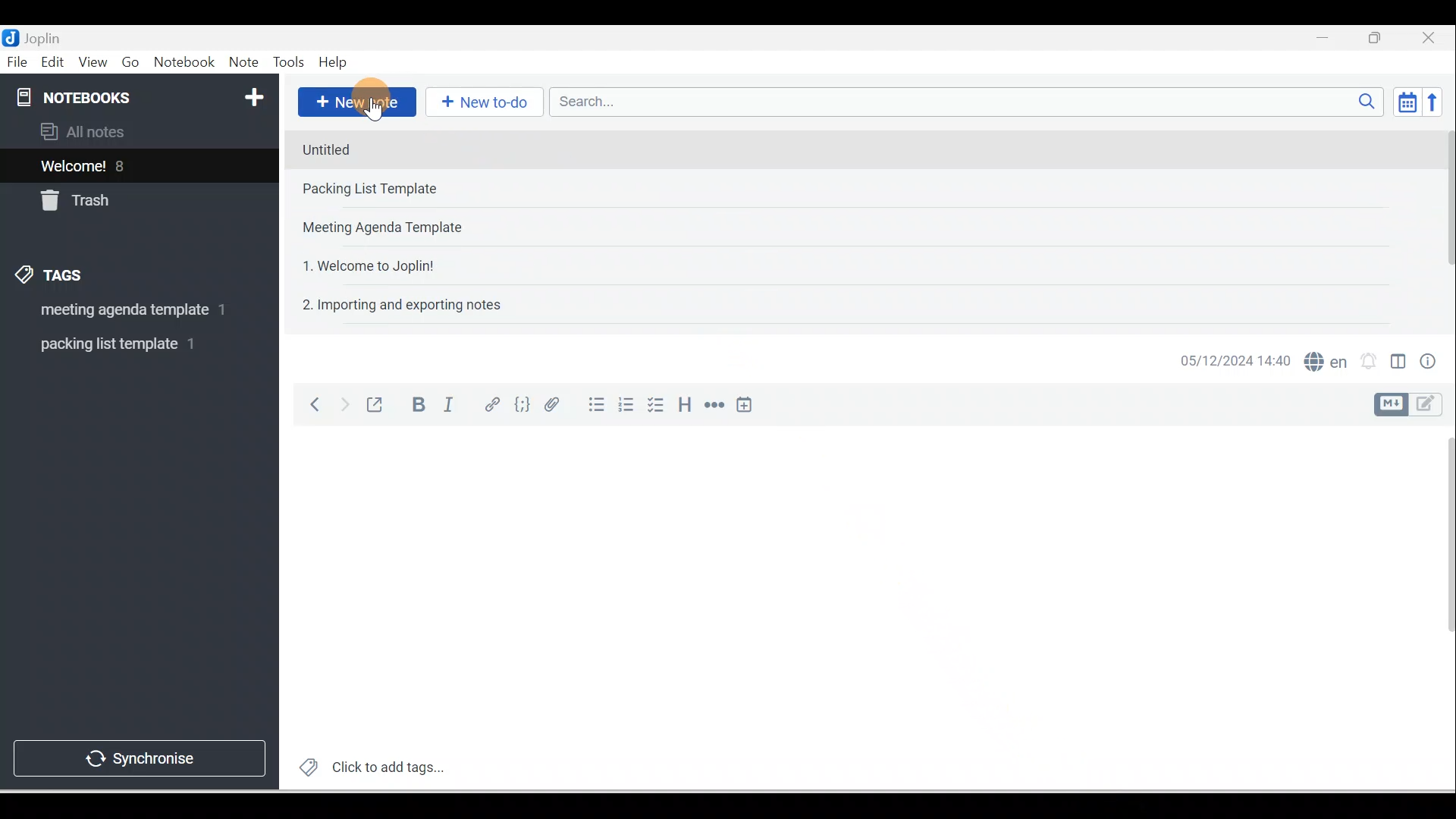 The image size is (1456, 819). I want to click on Note 4, so click(403, 262).